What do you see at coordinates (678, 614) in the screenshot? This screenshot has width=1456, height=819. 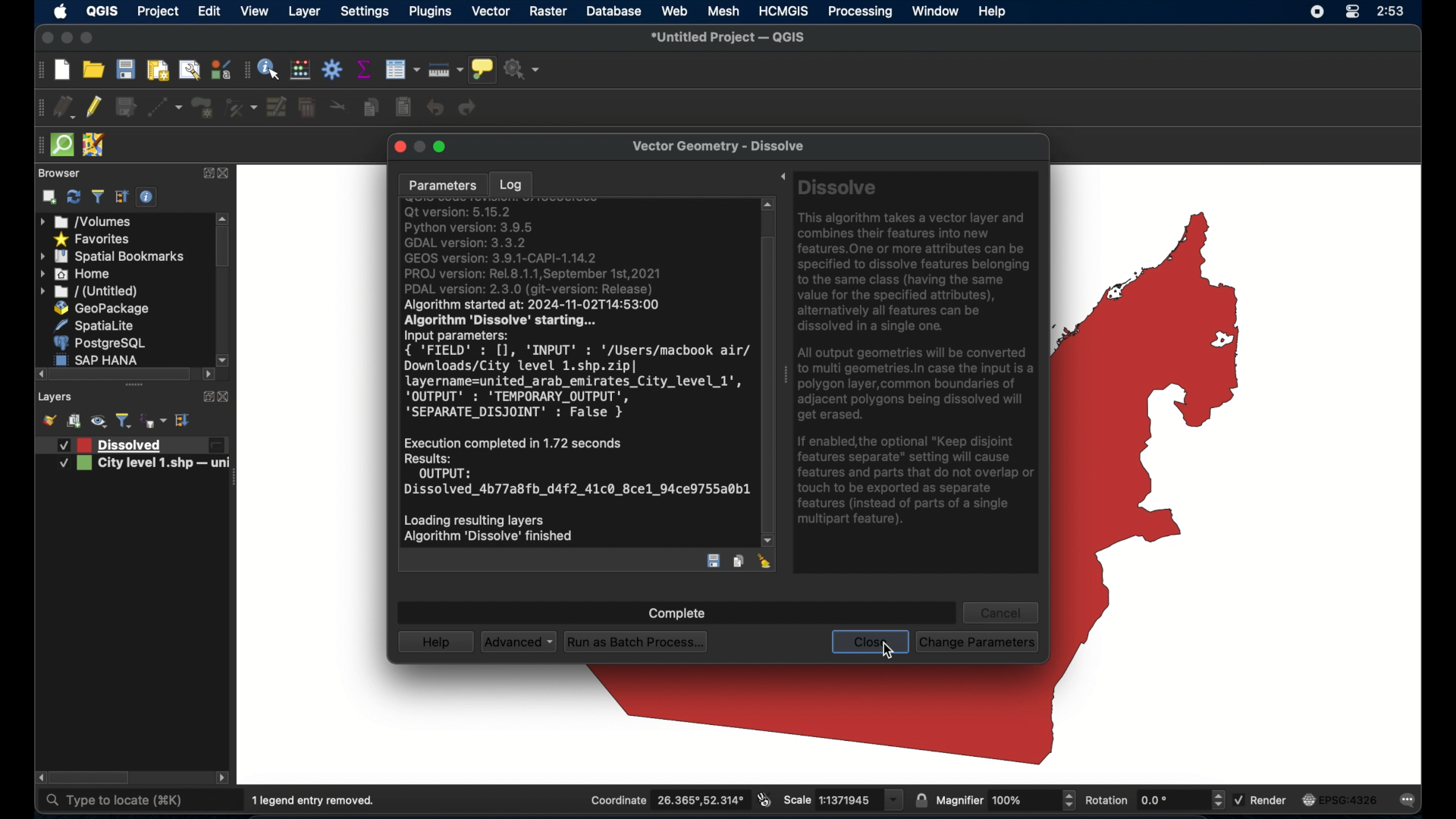 I see `complete` at bounding box center [678, 614].